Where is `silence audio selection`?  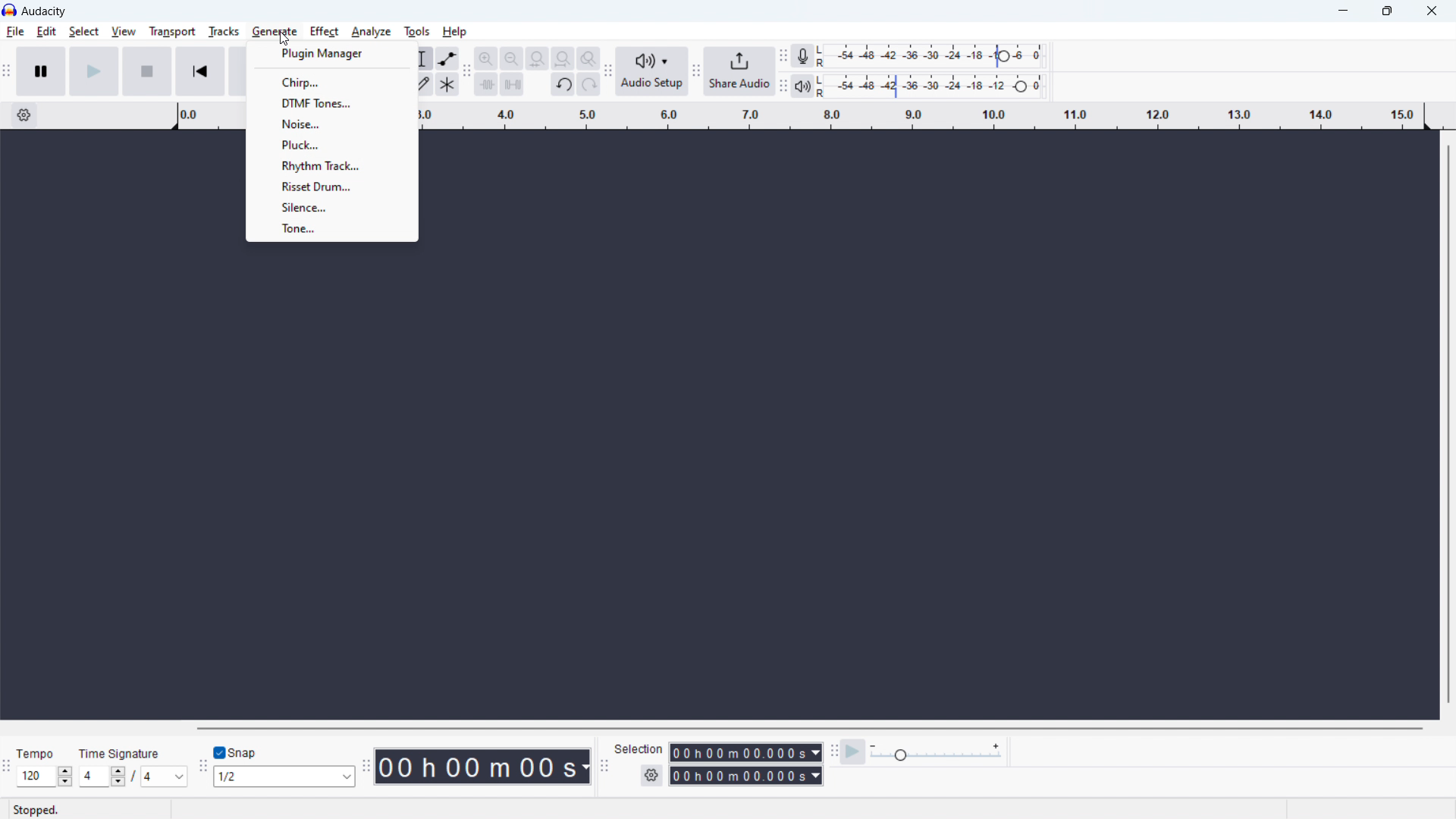
silence audio selection is located at coordinates (512, 84).